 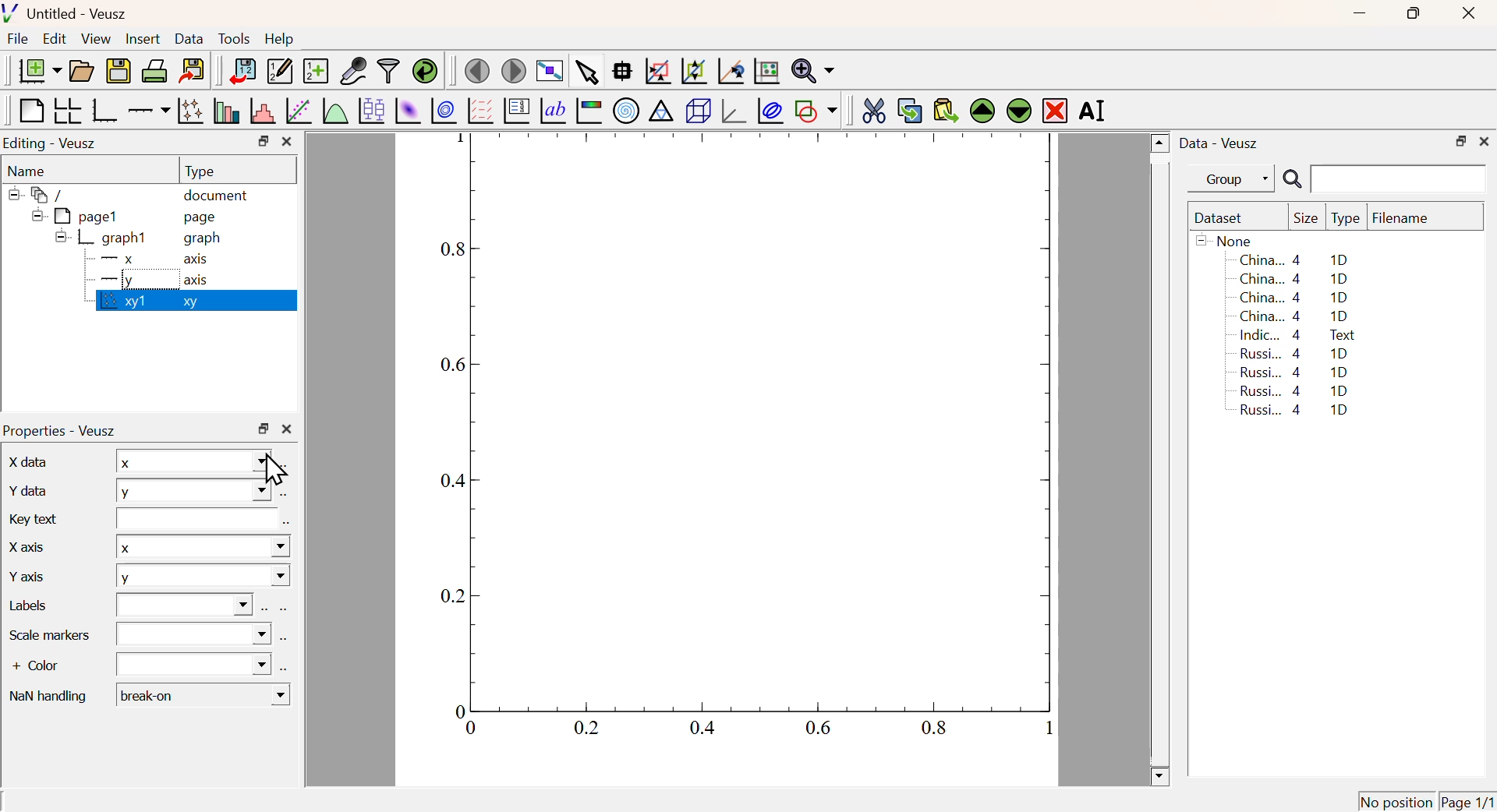 I want to click on Import Data, so click(x=242, y=71).